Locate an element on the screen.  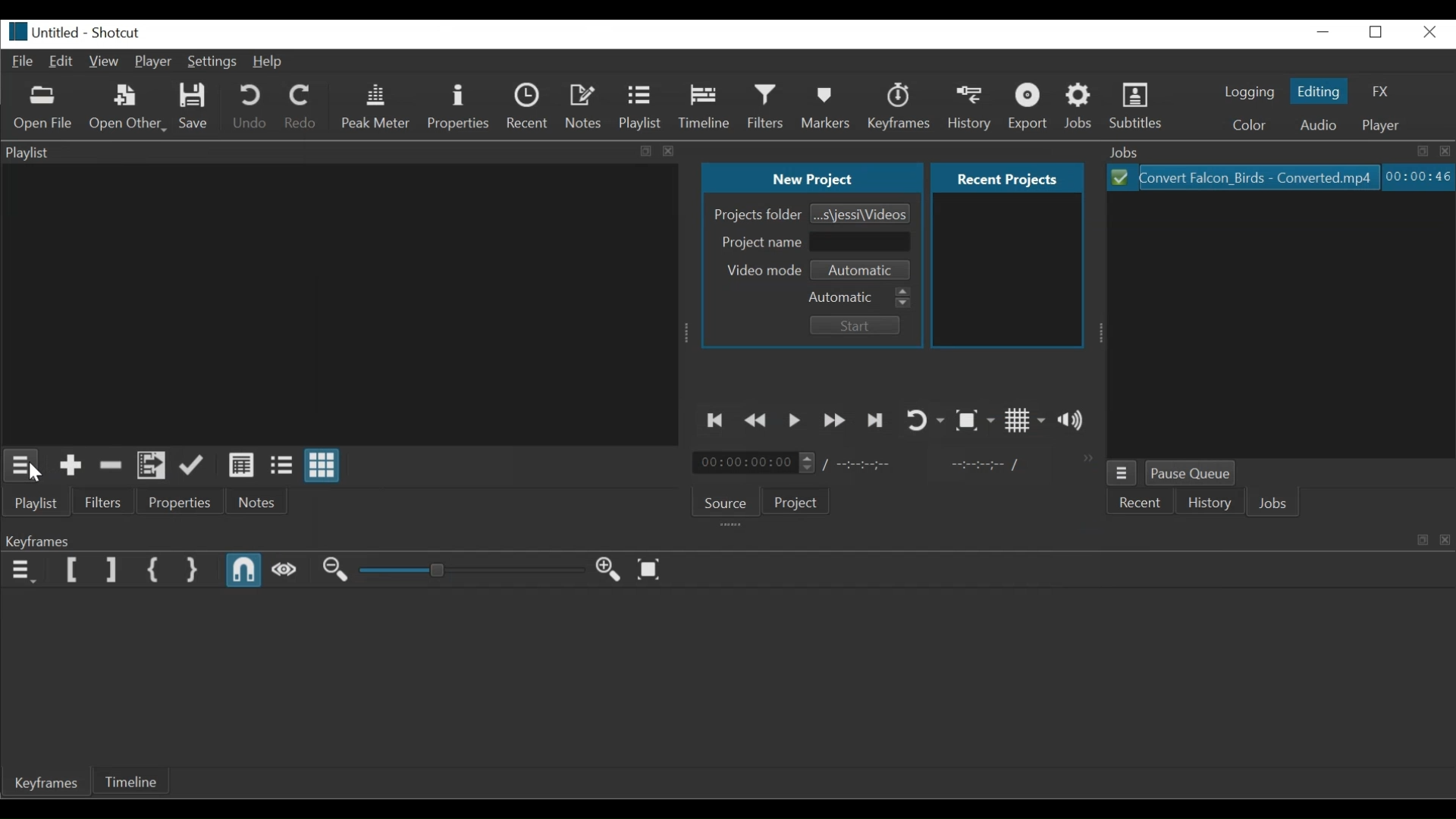
Update is located at coordinates (193, 464).